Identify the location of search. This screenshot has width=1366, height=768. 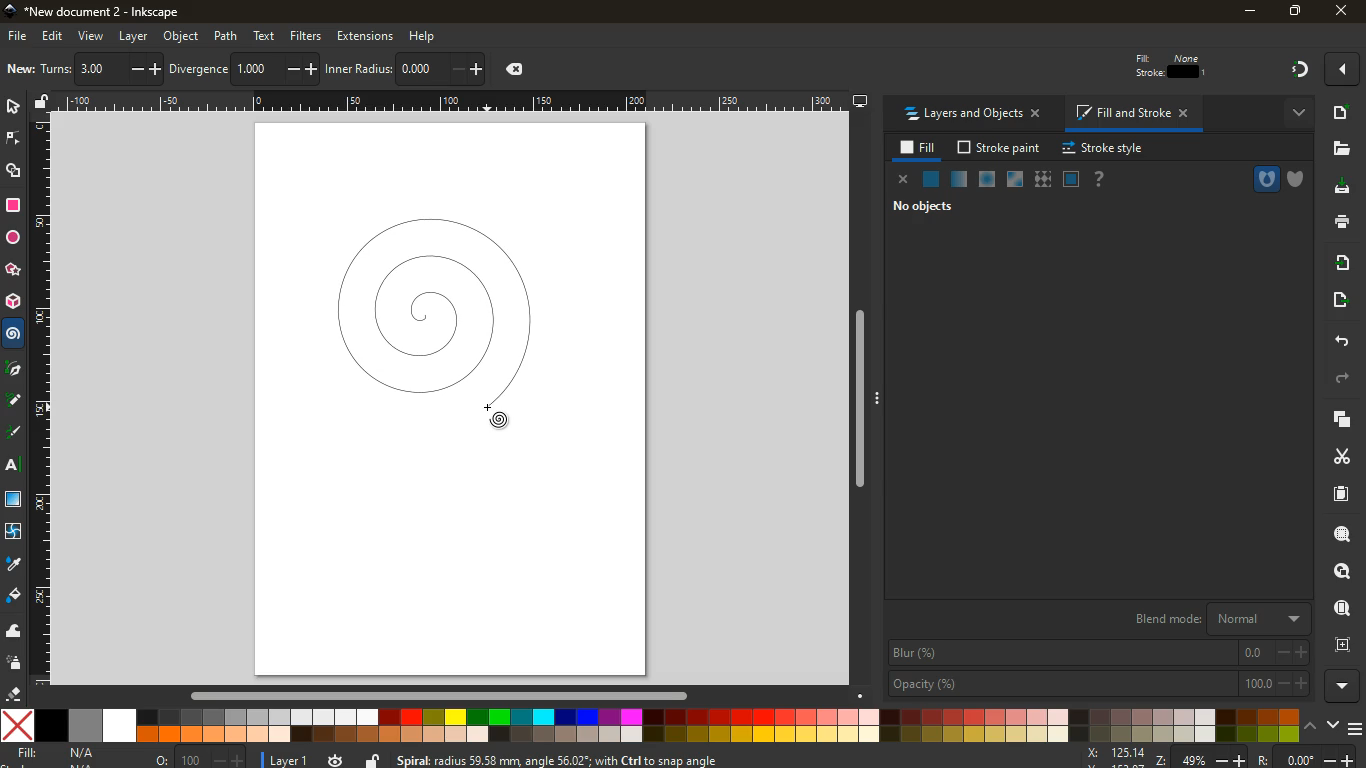
(1337, 537).